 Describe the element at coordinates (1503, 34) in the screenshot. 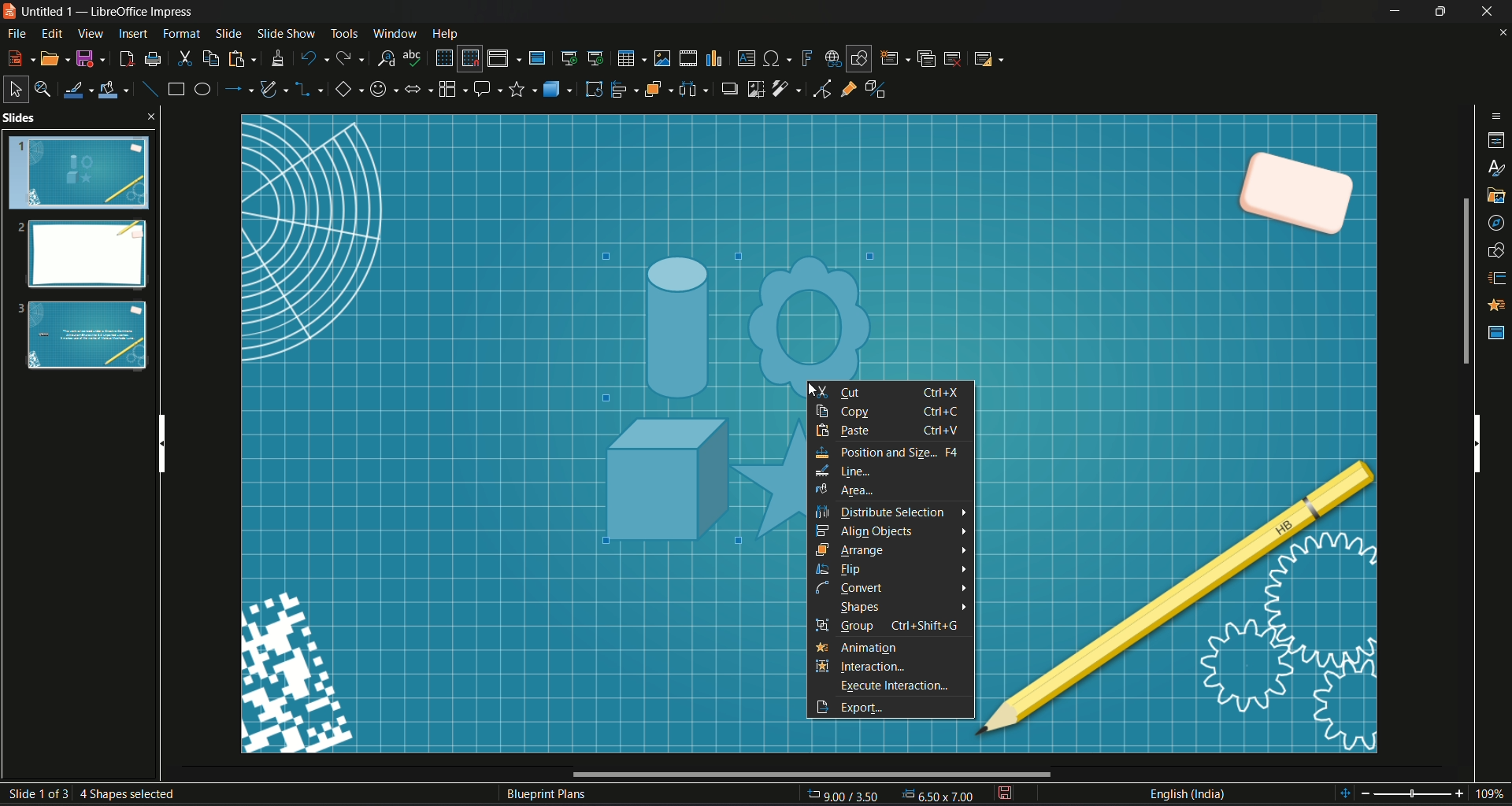

I see `close` at that location.